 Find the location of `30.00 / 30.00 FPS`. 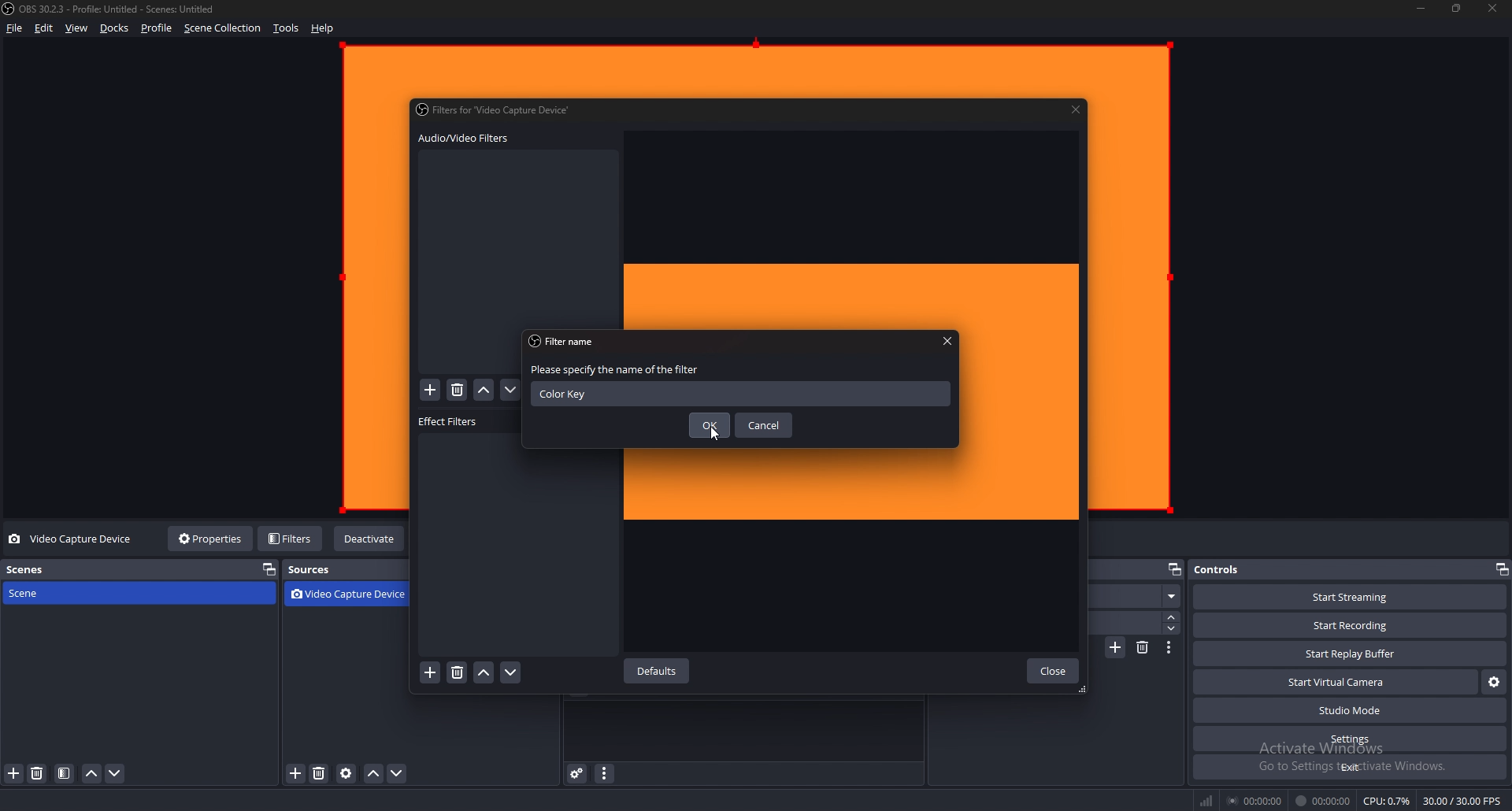

30.00 / 30.00 FPS is located at coordinates (1463, 800).